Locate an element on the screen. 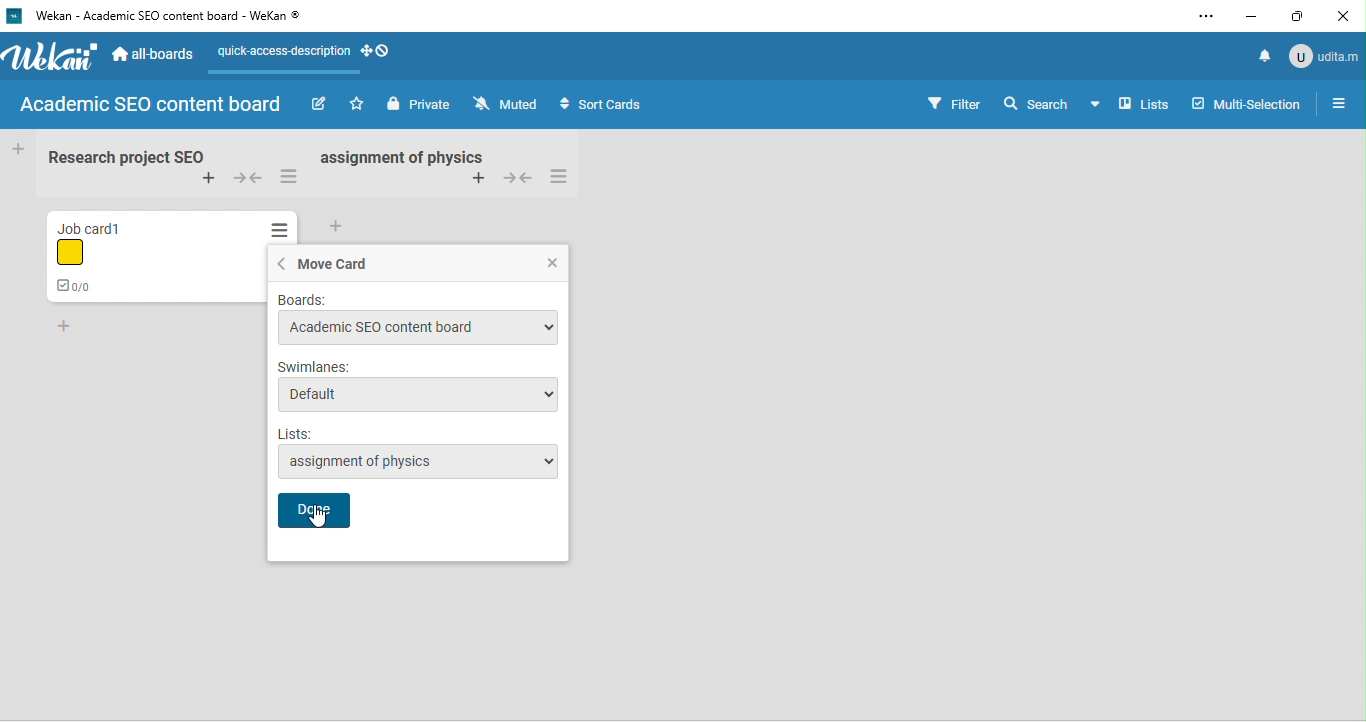  close is located at coordinates (1351, 15).